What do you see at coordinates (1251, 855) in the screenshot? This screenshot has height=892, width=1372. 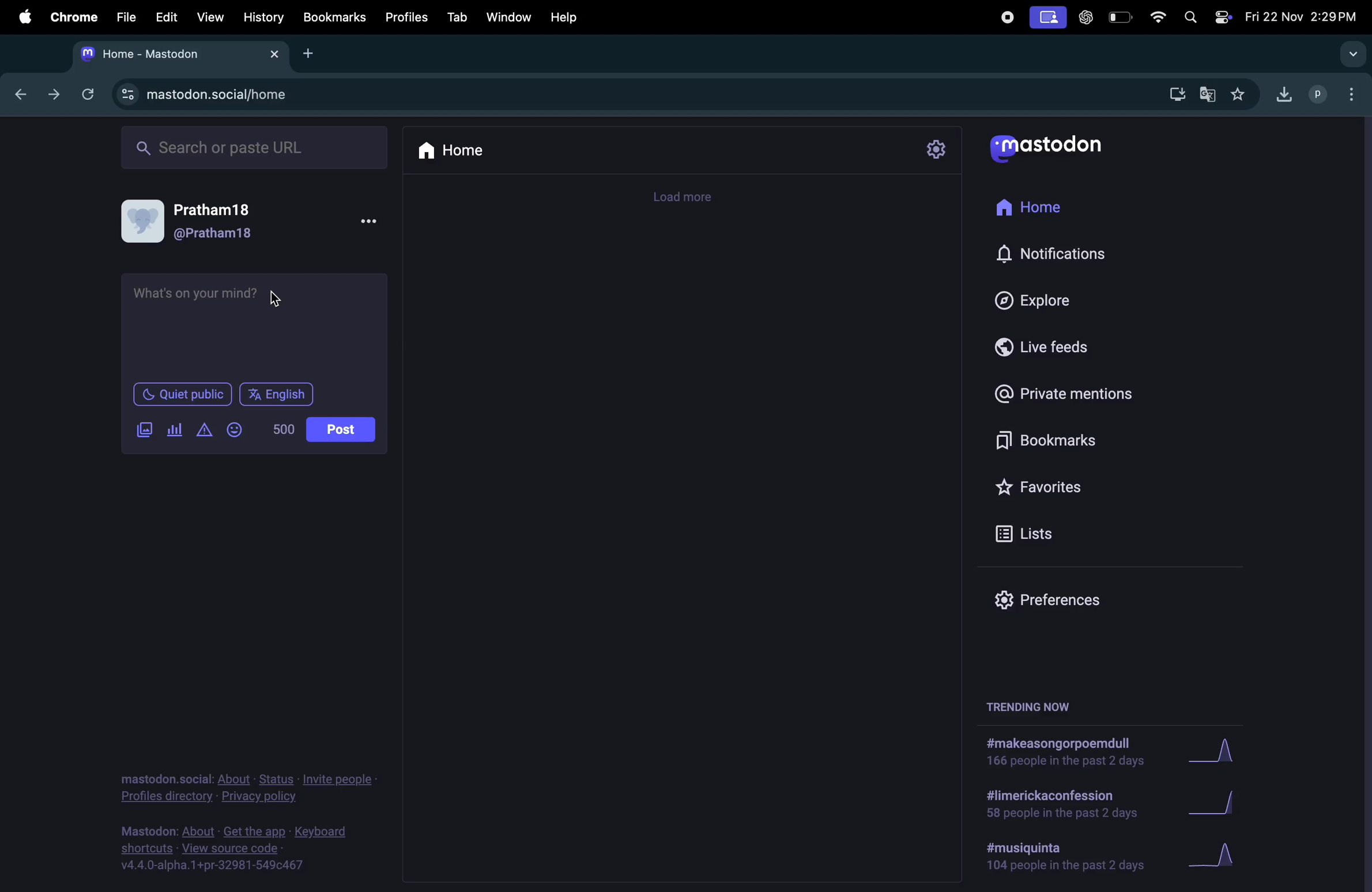 I see `graphs` at bounding box center [1251, 855].